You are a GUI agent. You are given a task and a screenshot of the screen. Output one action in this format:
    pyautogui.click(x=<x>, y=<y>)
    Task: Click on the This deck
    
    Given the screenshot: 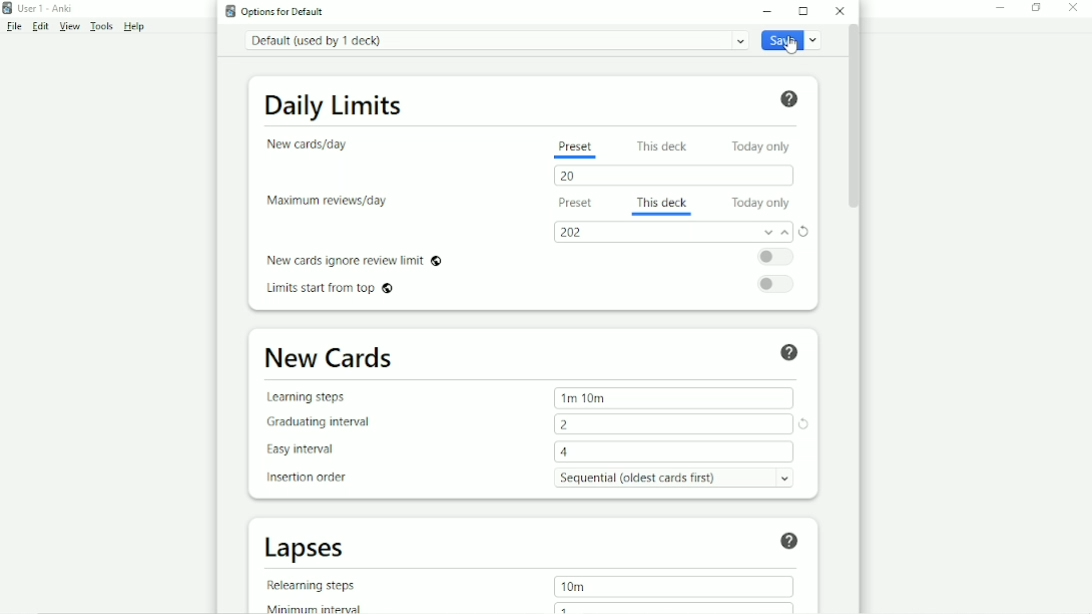 What is the action you would take?
    pyautogui.click(x=665, y=145)
    